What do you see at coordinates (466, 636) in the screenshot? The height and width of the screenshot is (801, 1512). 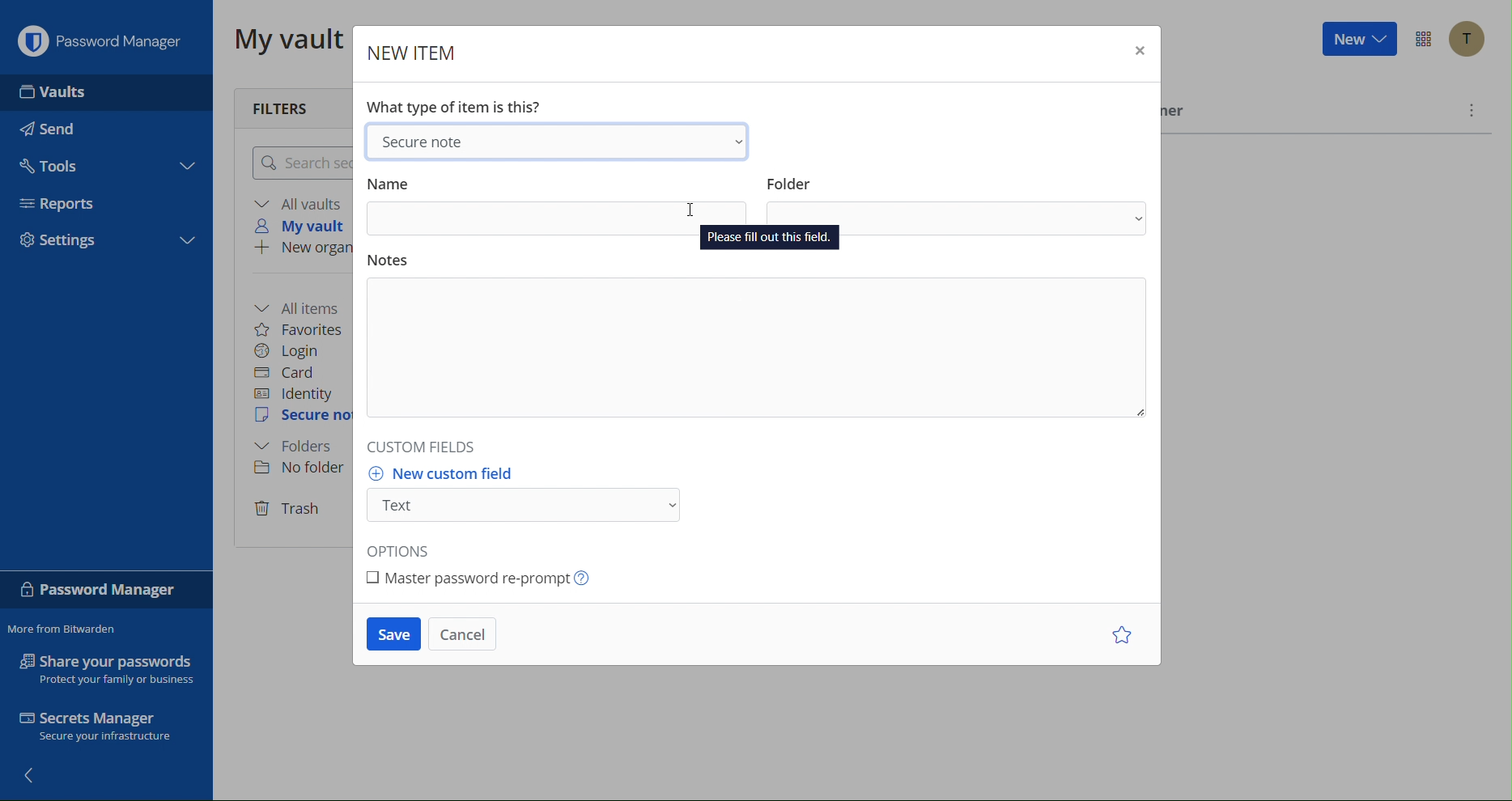 I see `Cancel` at bounding box center [466, 636].